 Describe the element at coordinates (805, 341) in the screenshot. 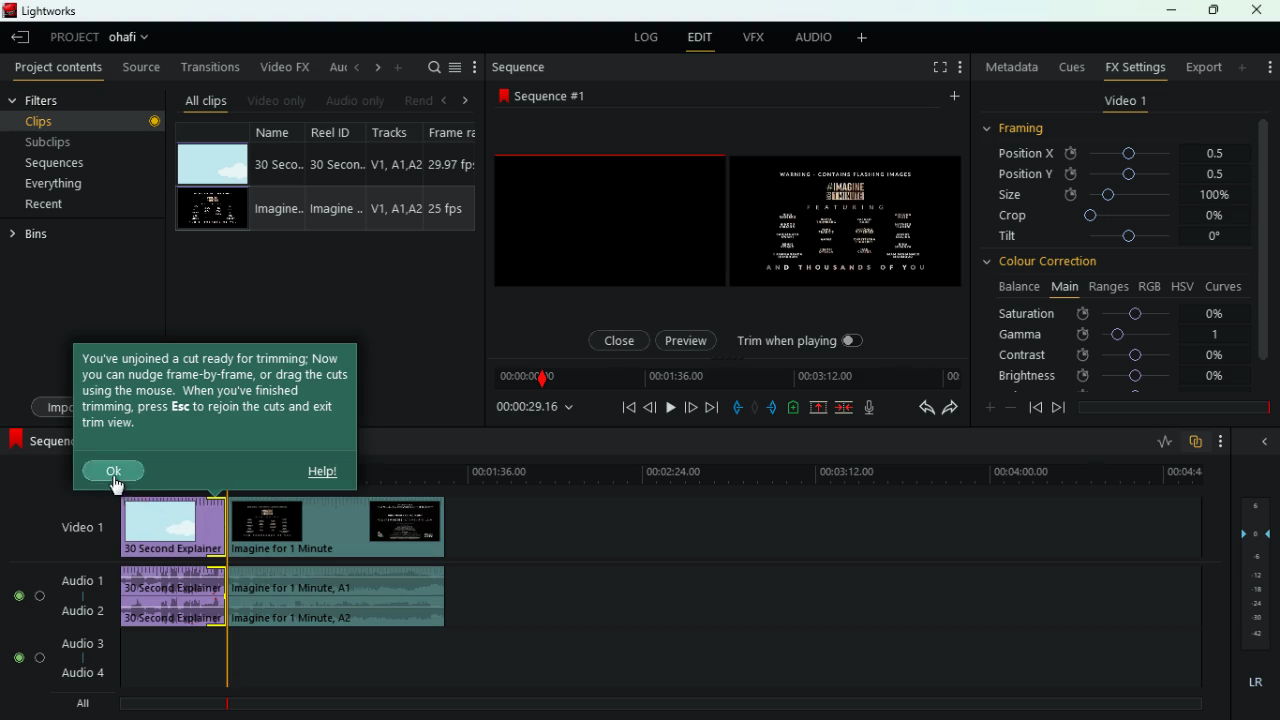

I see `trim when playing` at that location.